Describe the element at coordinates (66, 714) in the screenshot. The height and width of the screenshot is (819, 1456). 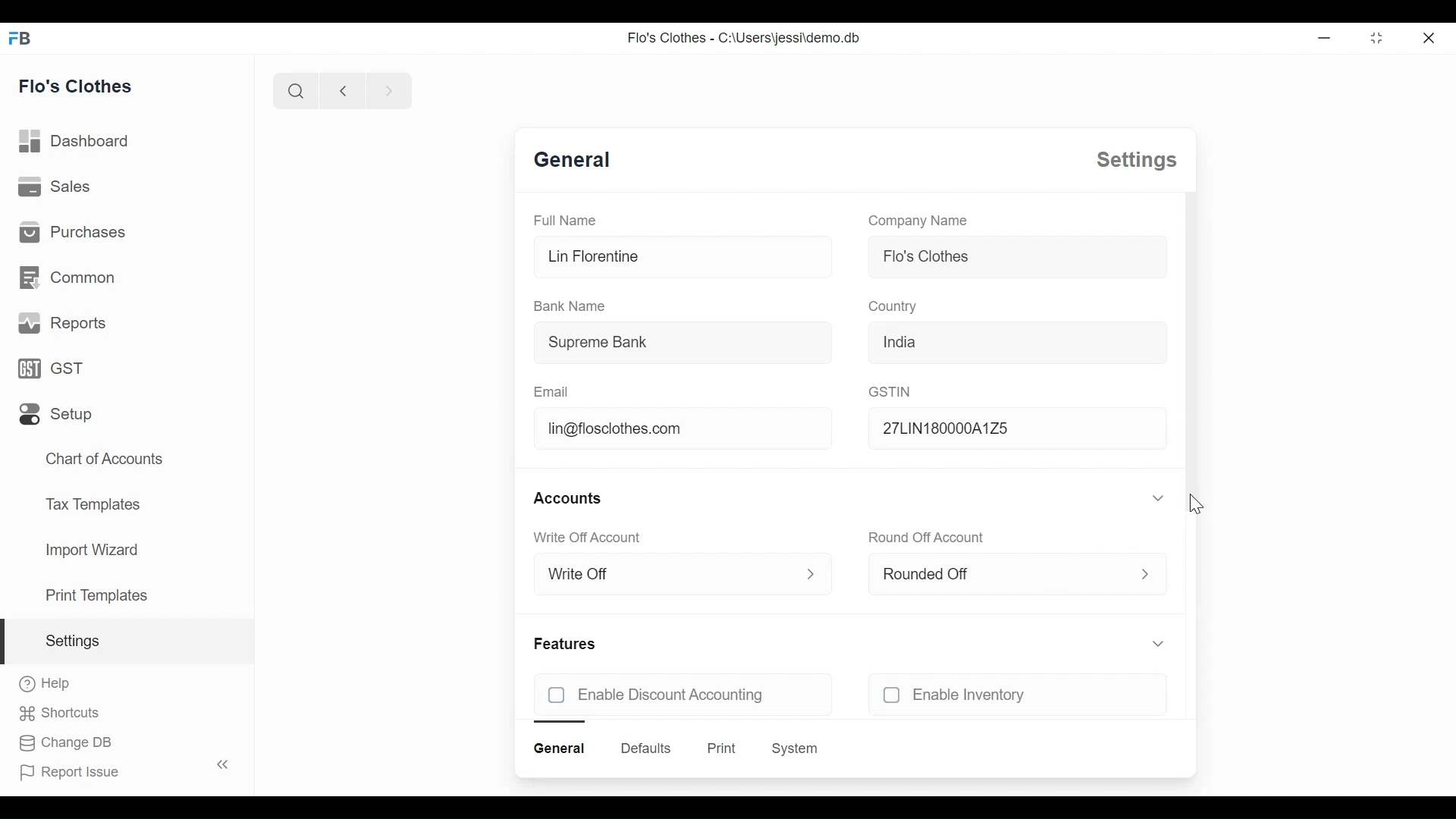
I see `Shortcuts` at that location.